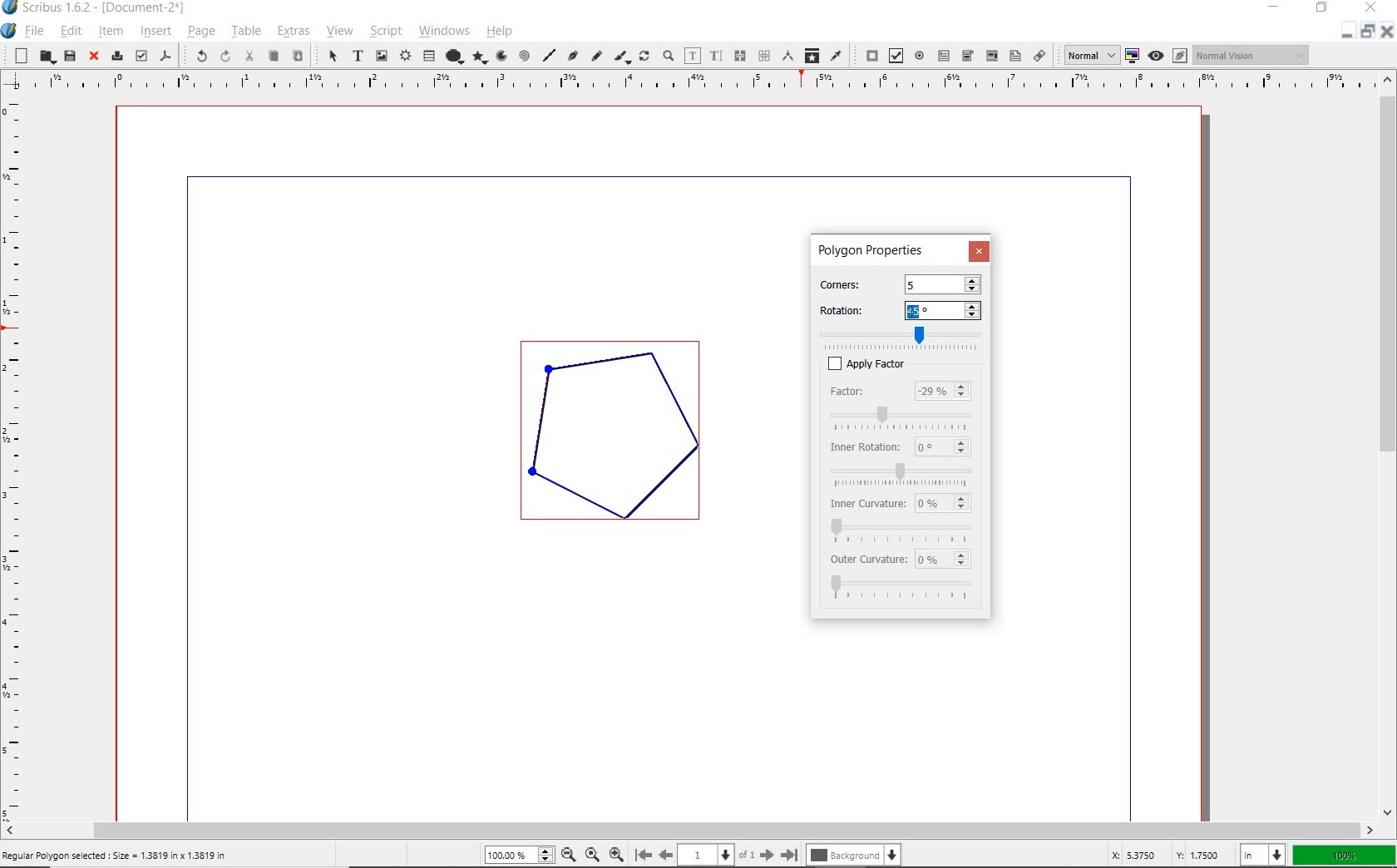  What do you see at coordinates (525, 53) in the screenshot?
I see `spiral` at bounding box center [525, 53].